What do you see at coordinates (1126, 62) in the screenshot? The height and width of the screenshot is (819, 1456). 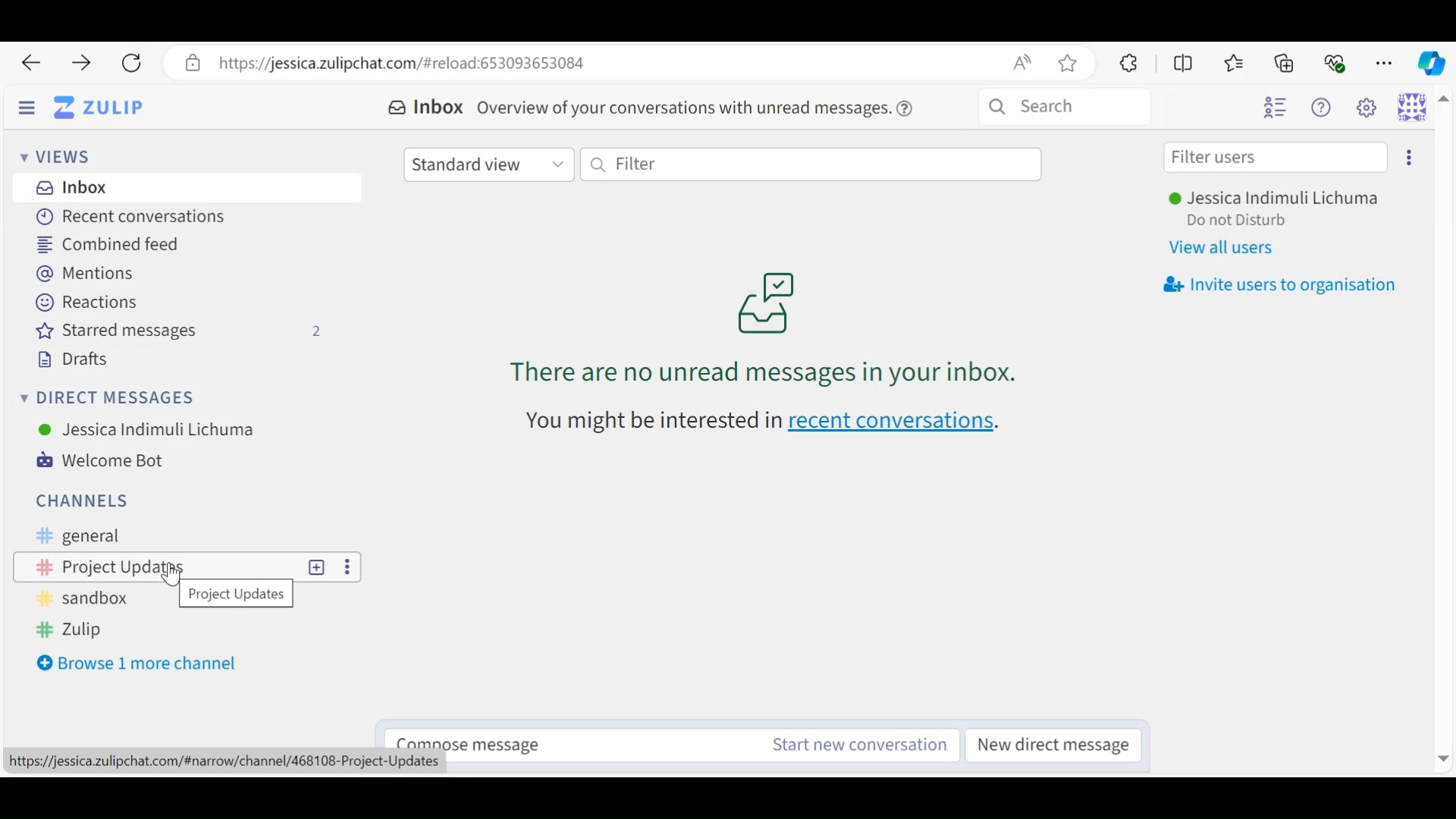 I see `Extension` at bounding box center [1126, 62].